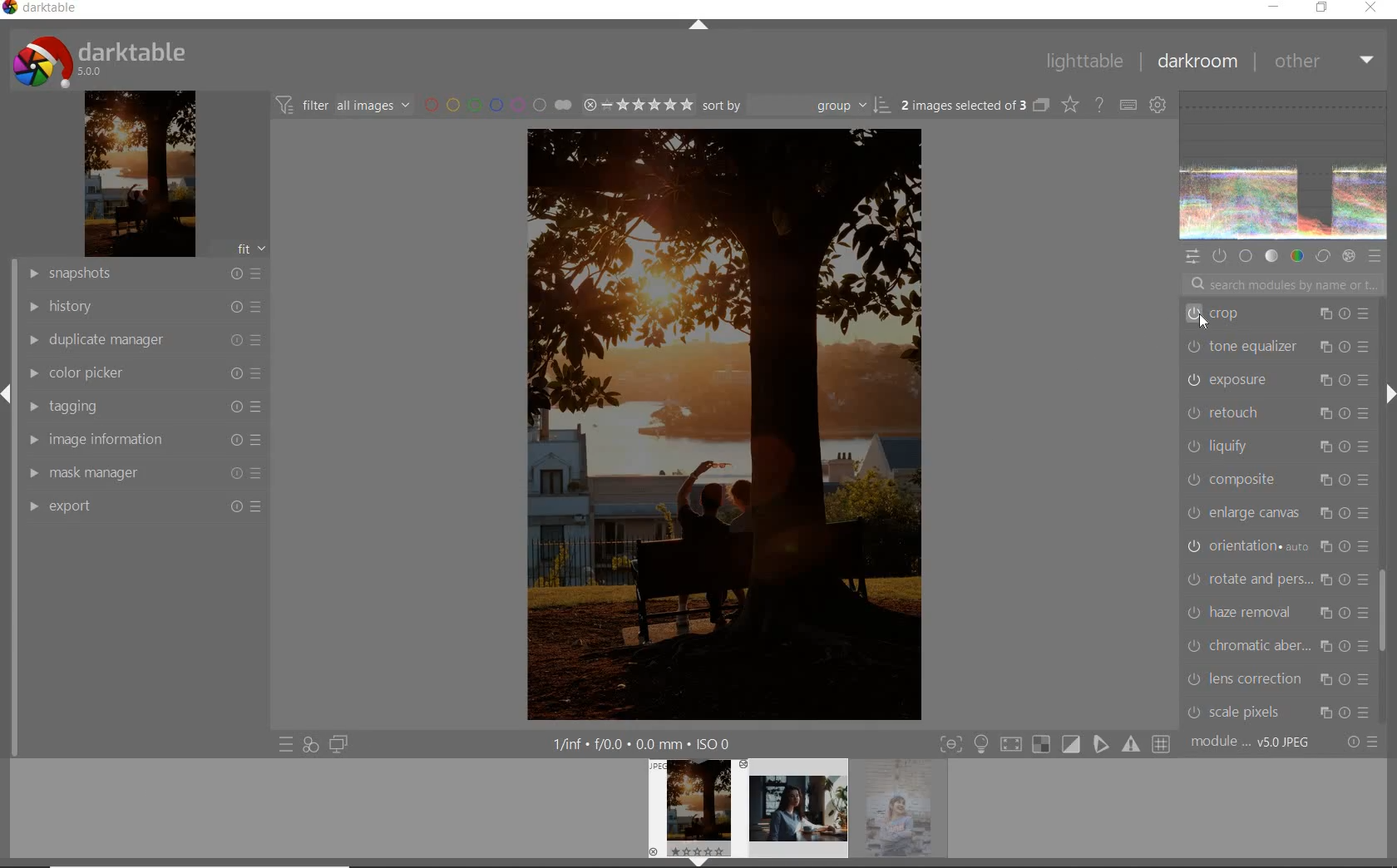 Image resolution: width=1397 pixels, height=868 pixels. I want to click on reset or preset & preference, so click(1363, 744).